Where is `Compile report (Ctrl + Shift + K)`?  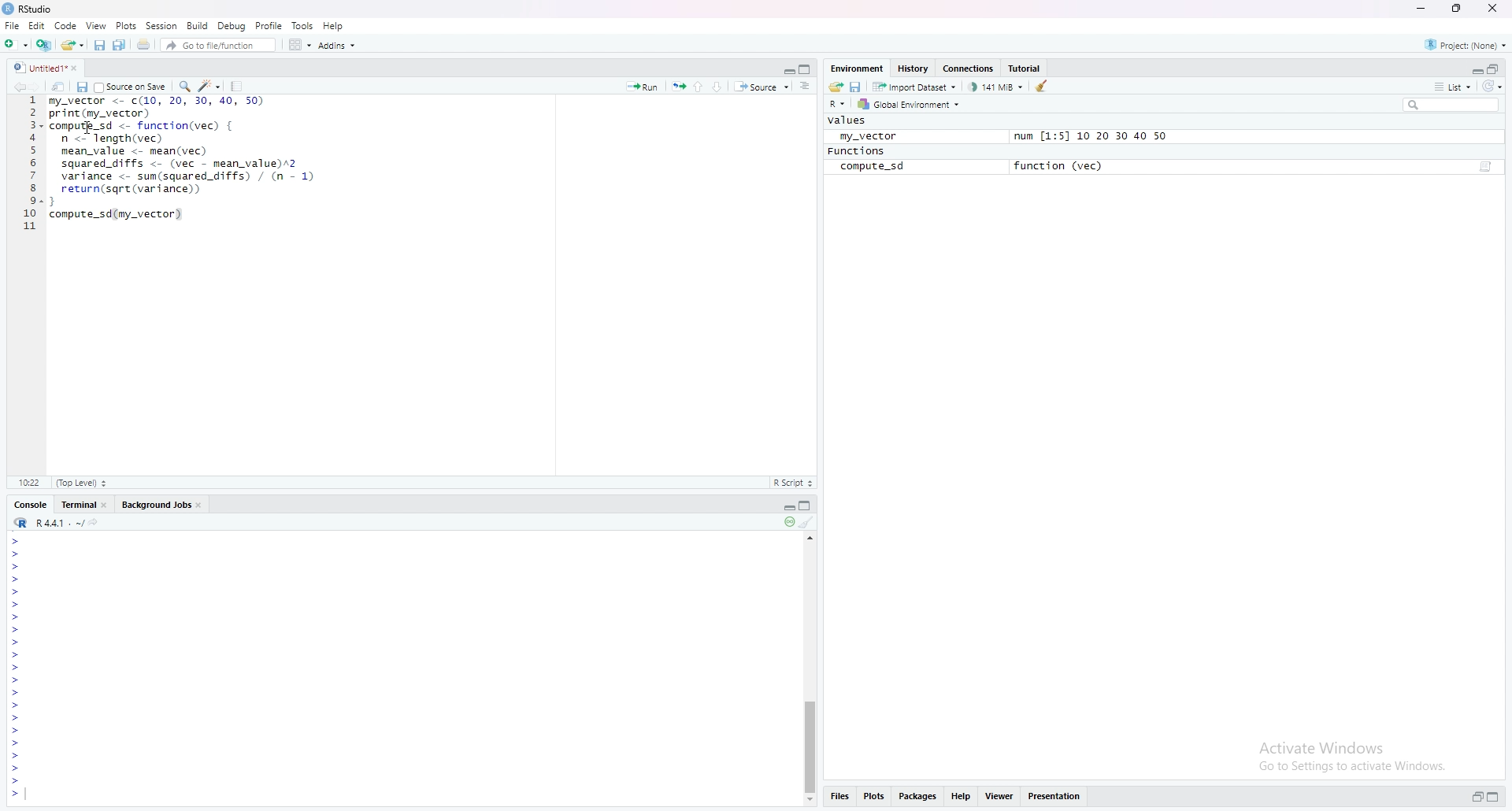 Compile report (Ctrl + Shift + K) is located at coordinates (238, 85).